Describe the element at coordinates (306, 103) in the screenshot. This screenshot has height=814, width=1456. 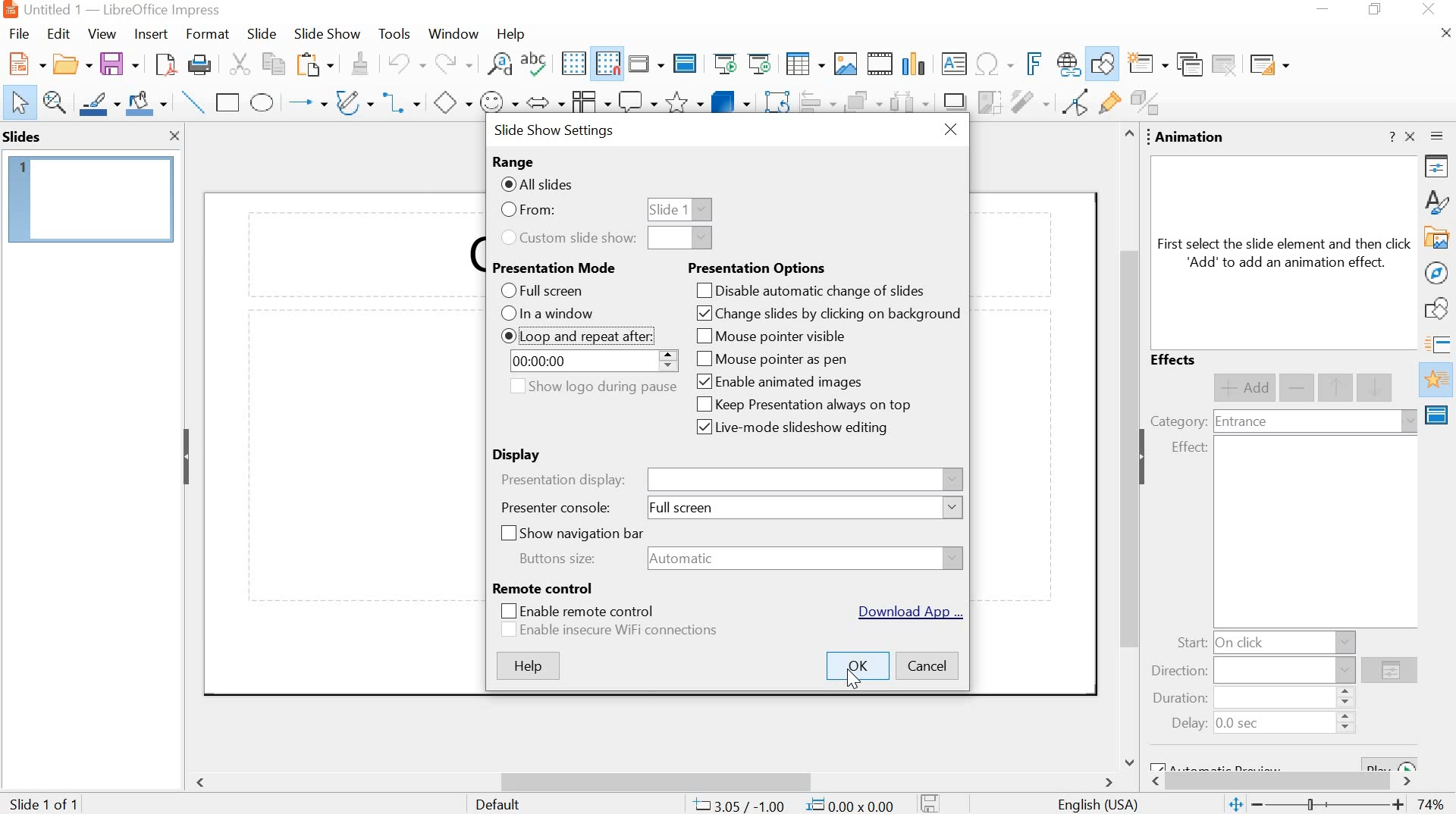
I see `lines and arrows` at that location.